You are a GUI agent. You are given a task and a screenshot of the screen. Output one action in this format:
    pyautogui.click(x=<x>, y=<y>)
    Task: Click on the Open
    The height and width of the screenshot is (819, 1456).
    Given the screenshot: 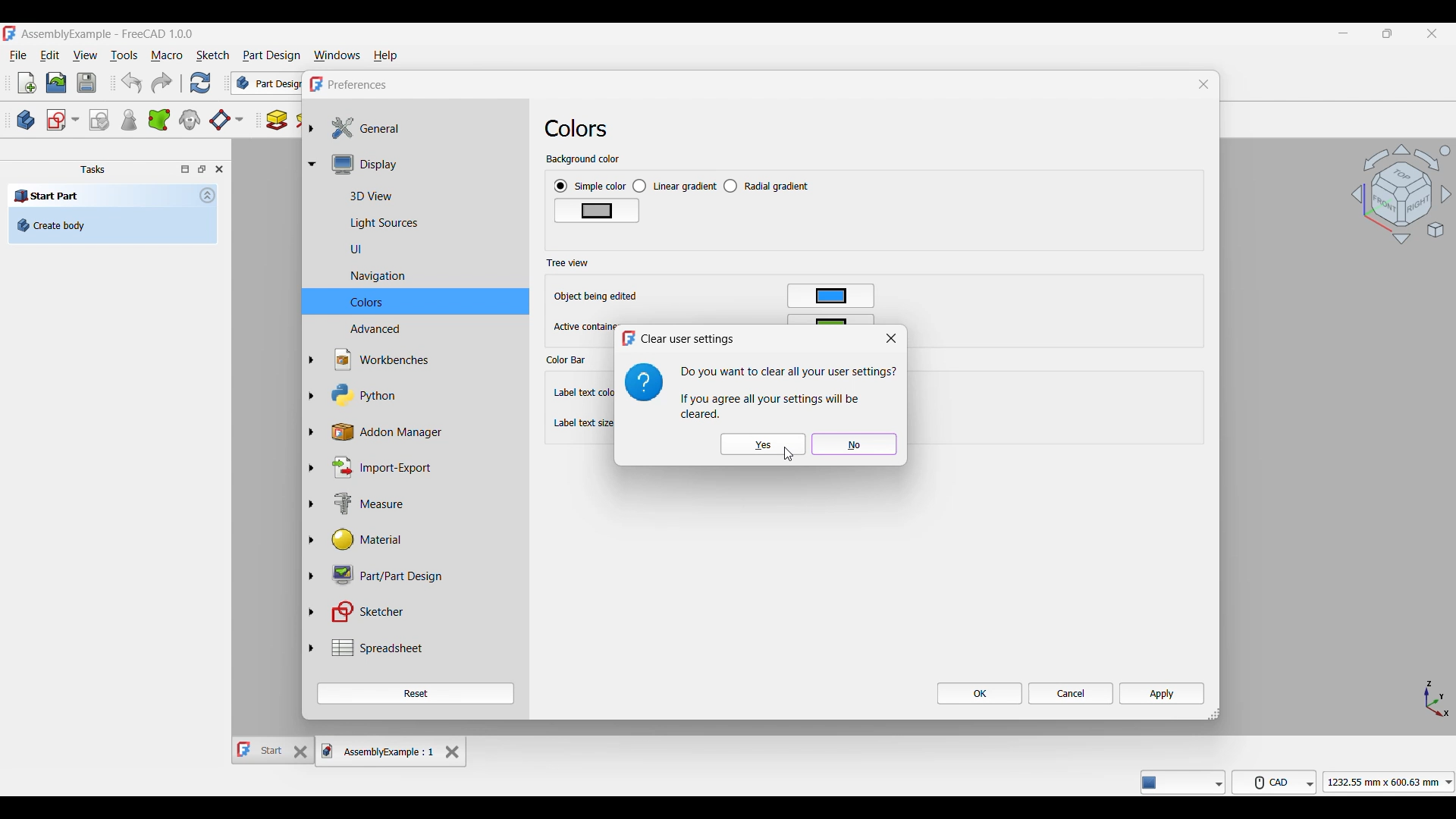 What is the action you would take?
    pyautogui.click(x=56, y=83)
    